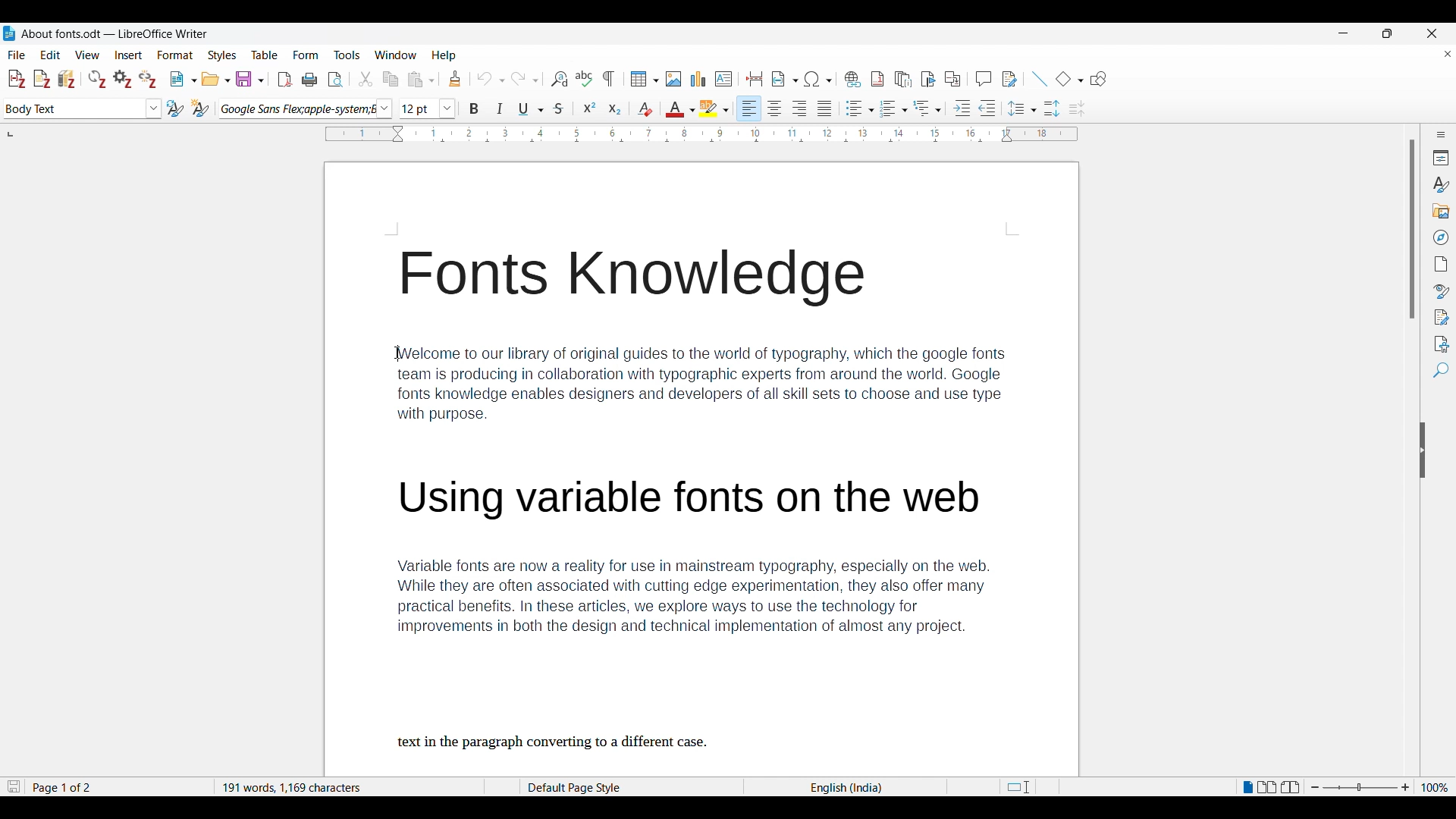 This screenshot has width=1456, height=819. I want to click on Clone formatting, so click(455, 79).